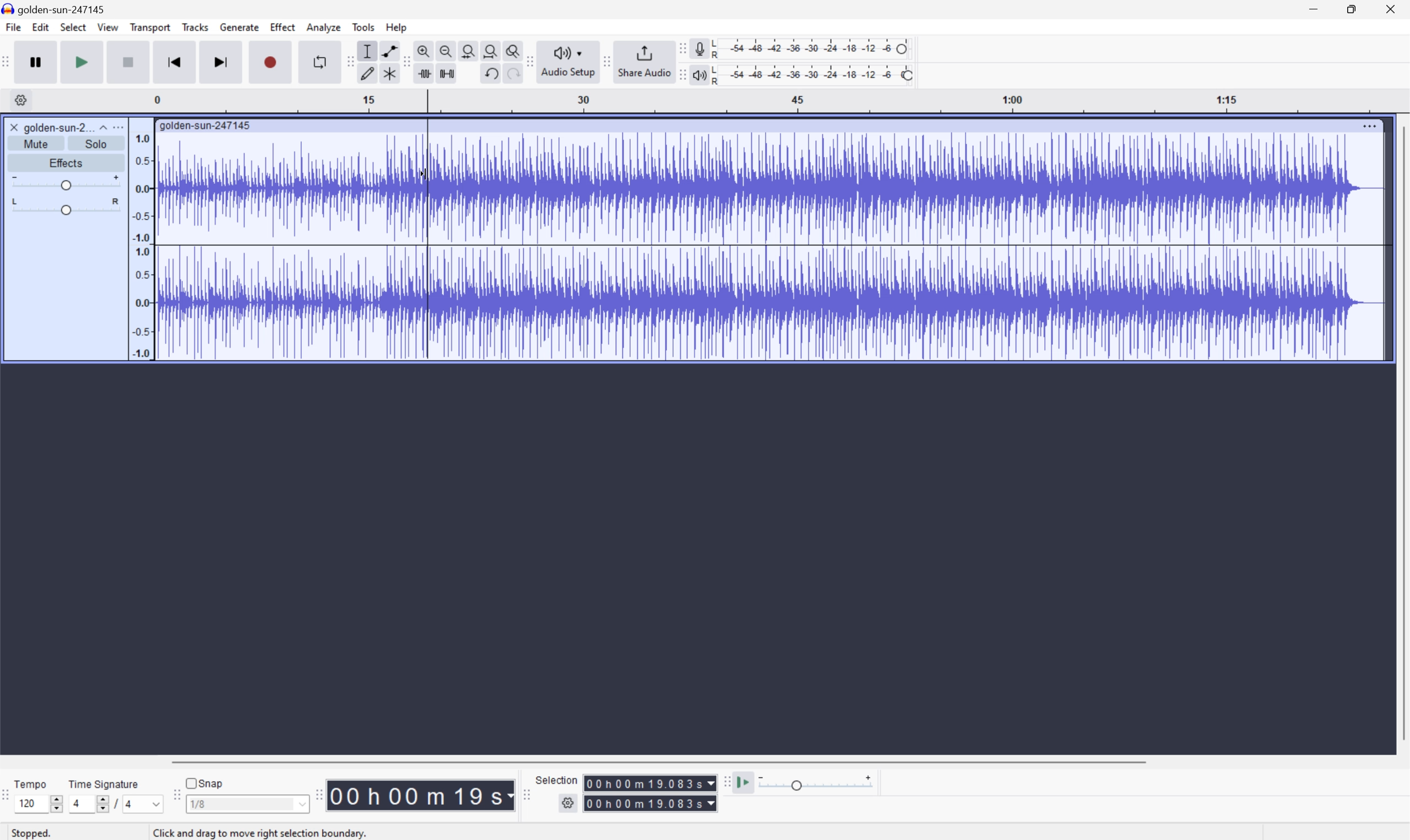  What do you see at coordinates (445, 49) in the screenshot?
I see `Zoom out` at bounding box center [445, 49].